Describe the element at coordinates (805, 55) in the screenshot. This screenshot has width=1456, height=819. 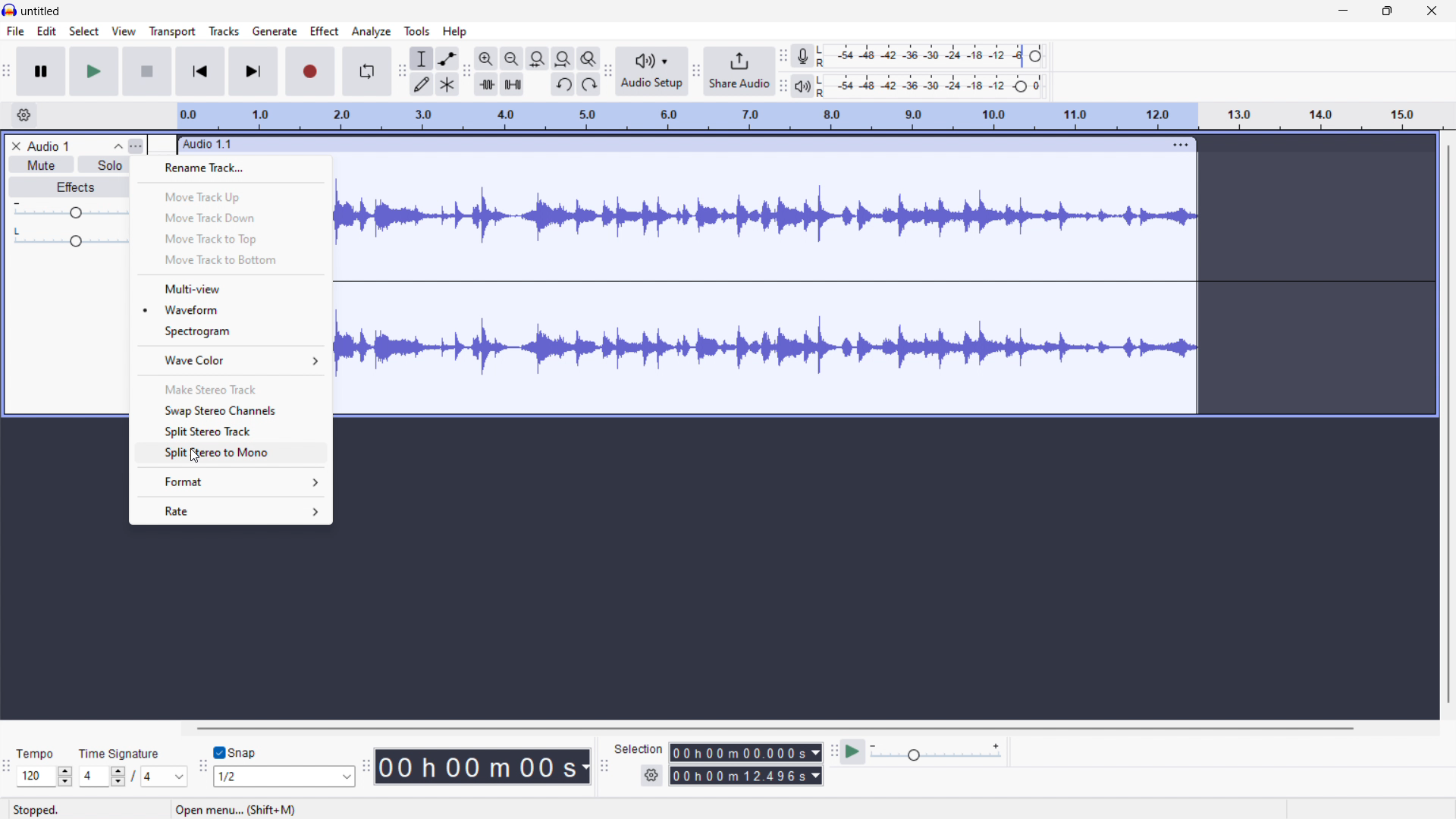
I see `recording meter` at that location.